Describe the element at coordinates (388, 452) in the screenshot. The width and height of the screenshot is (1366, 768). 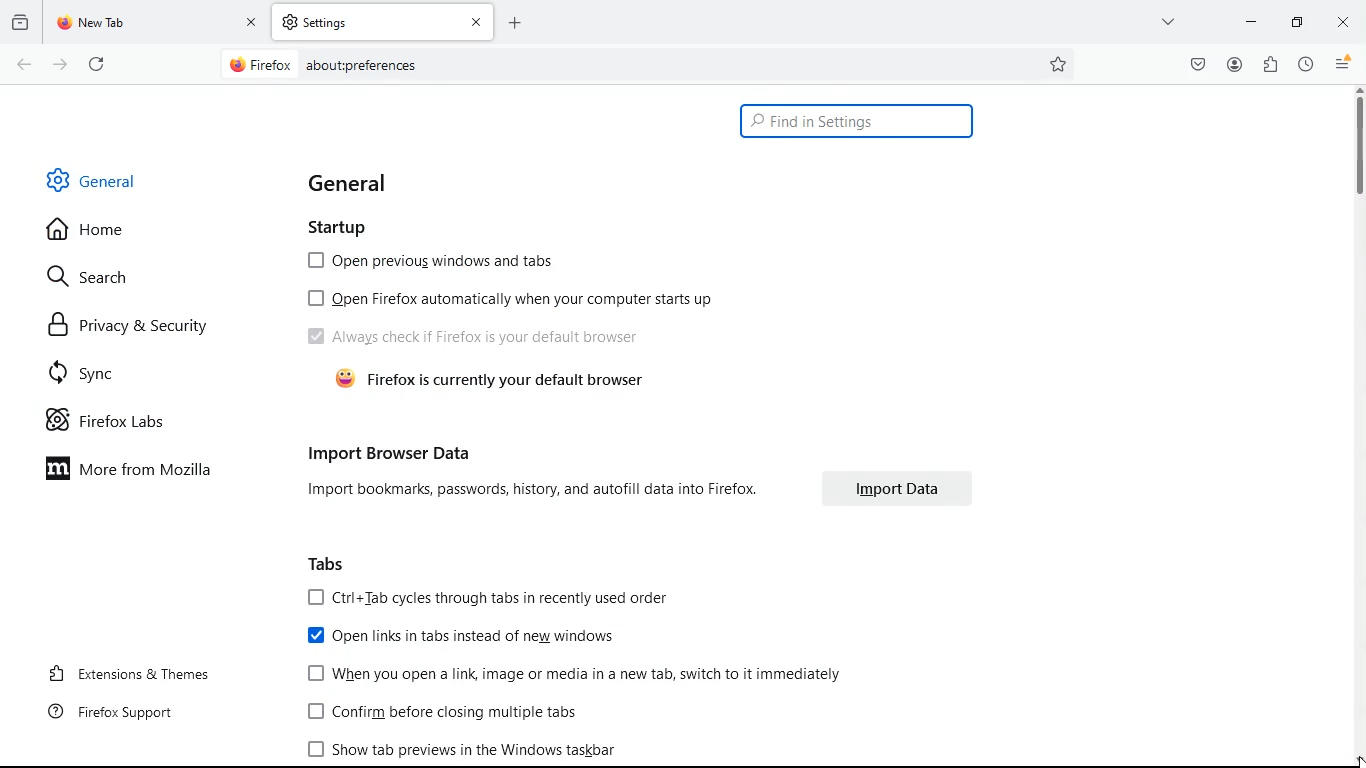
I see `import browser data` at that location.